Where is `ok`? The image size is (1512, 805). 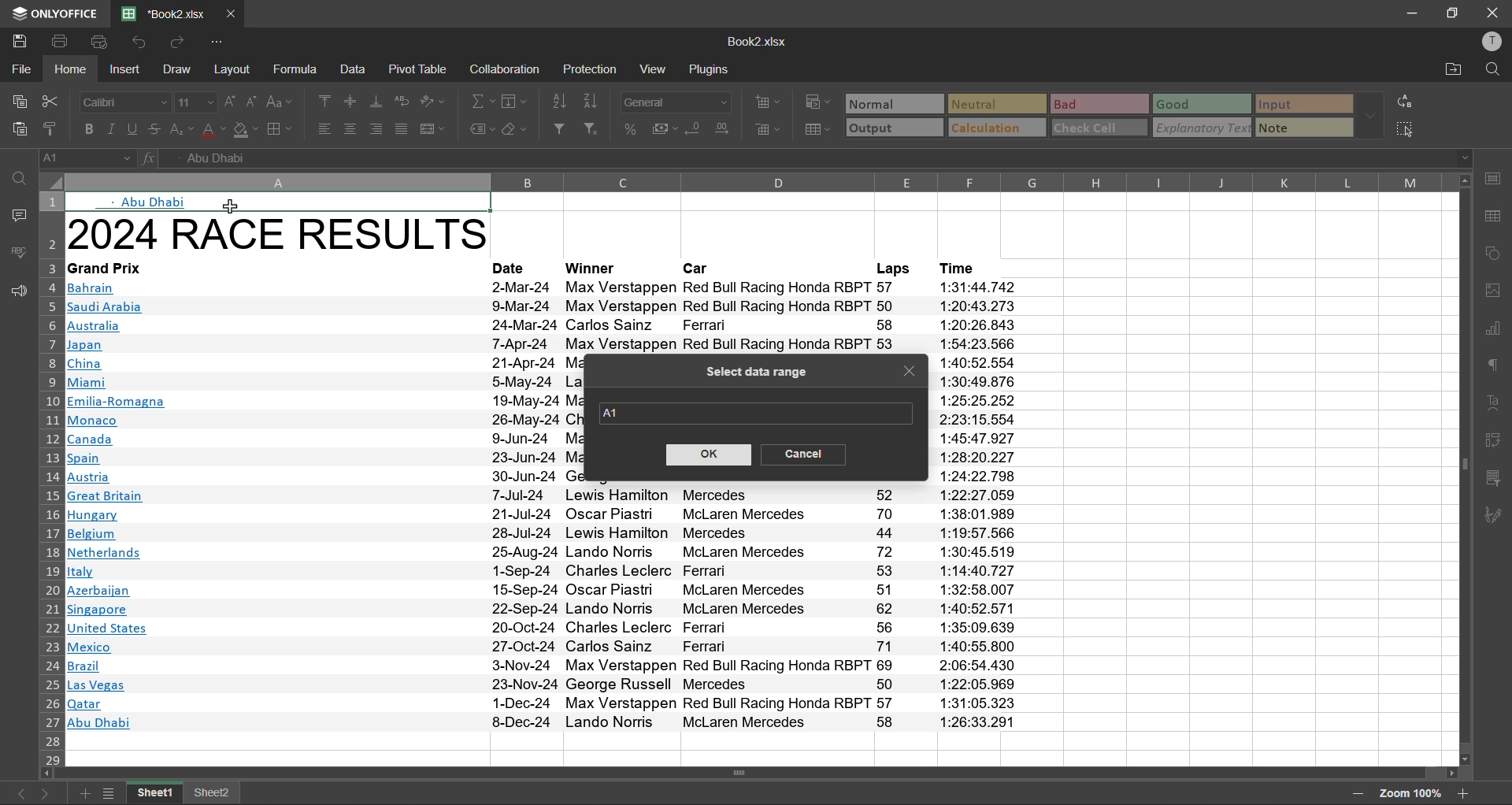
ok is located at coordinates (711, 454).